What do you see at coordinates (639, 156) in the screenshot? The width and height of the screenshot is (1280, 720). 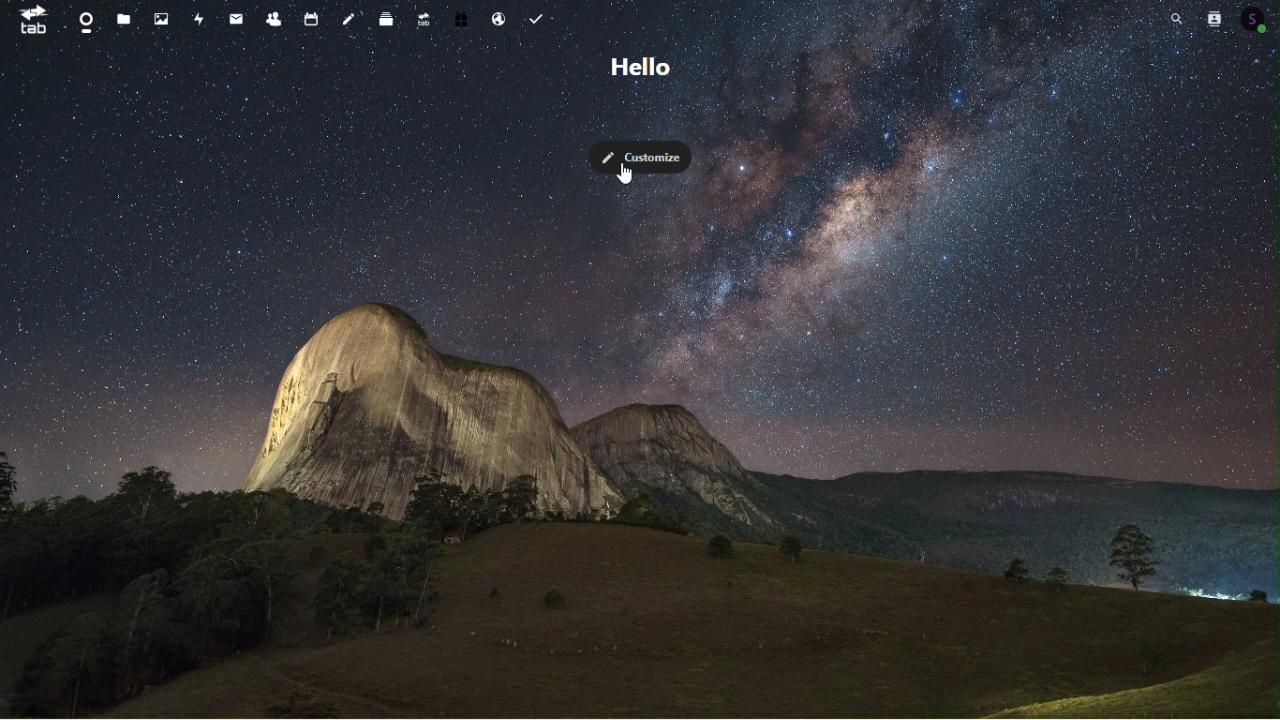 I see `Customise` at bounding box center [639, 156].